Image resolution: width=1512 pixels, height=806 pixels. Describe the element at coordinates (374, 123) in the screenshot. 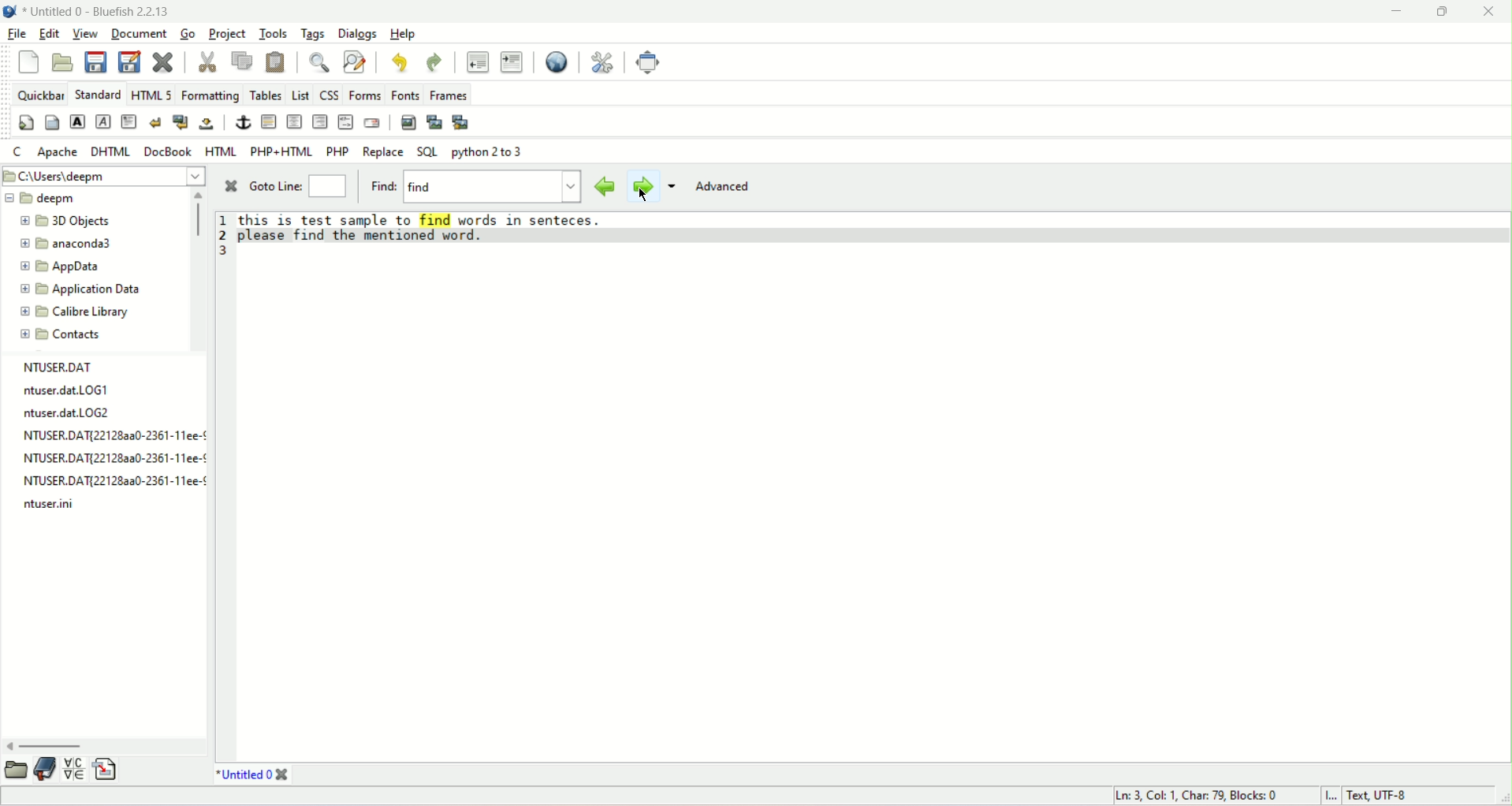

I see `email` at that location.